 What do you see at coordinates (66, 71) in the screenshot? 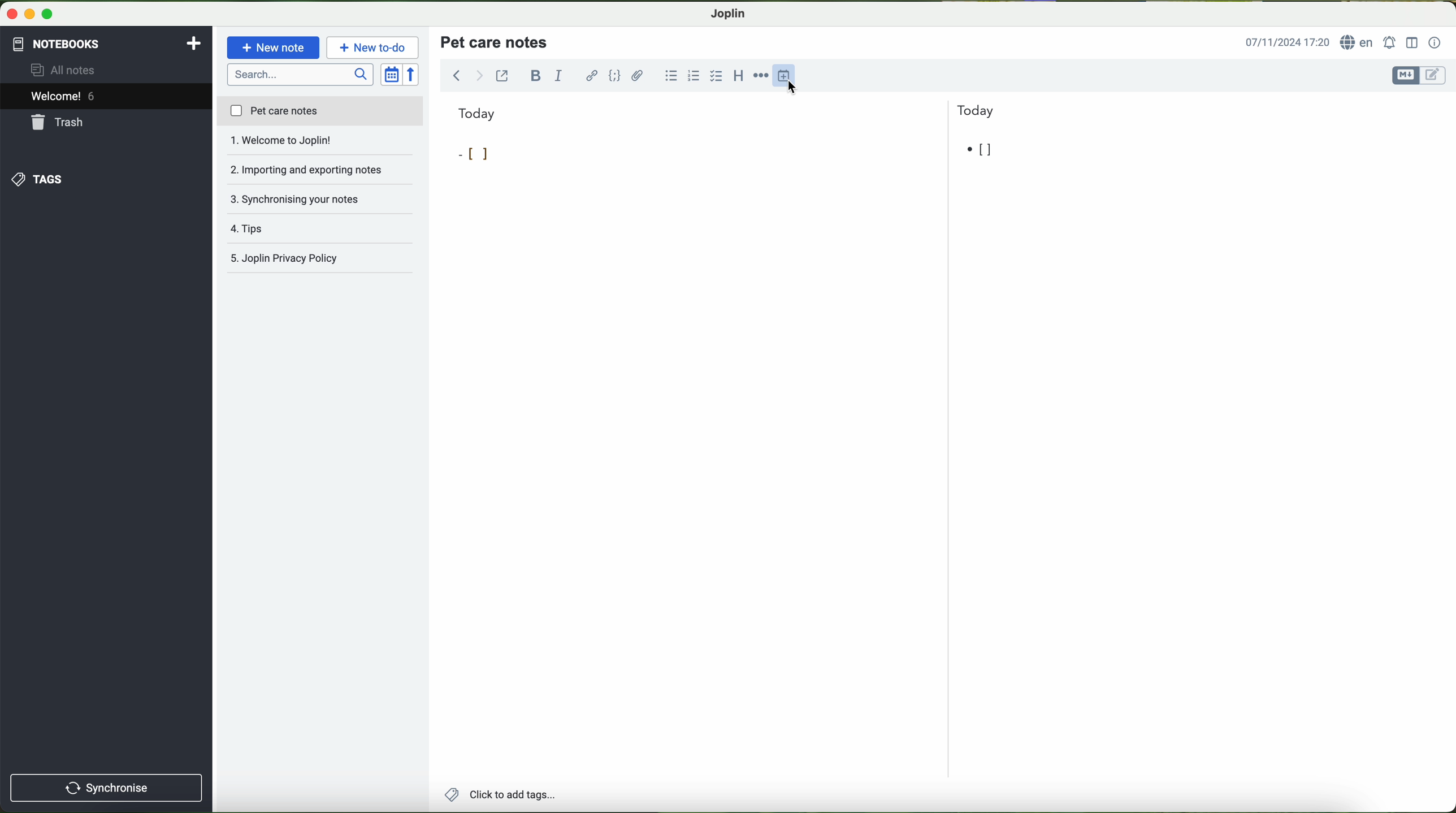
I see `all notes` at bounding box center [66, 71].